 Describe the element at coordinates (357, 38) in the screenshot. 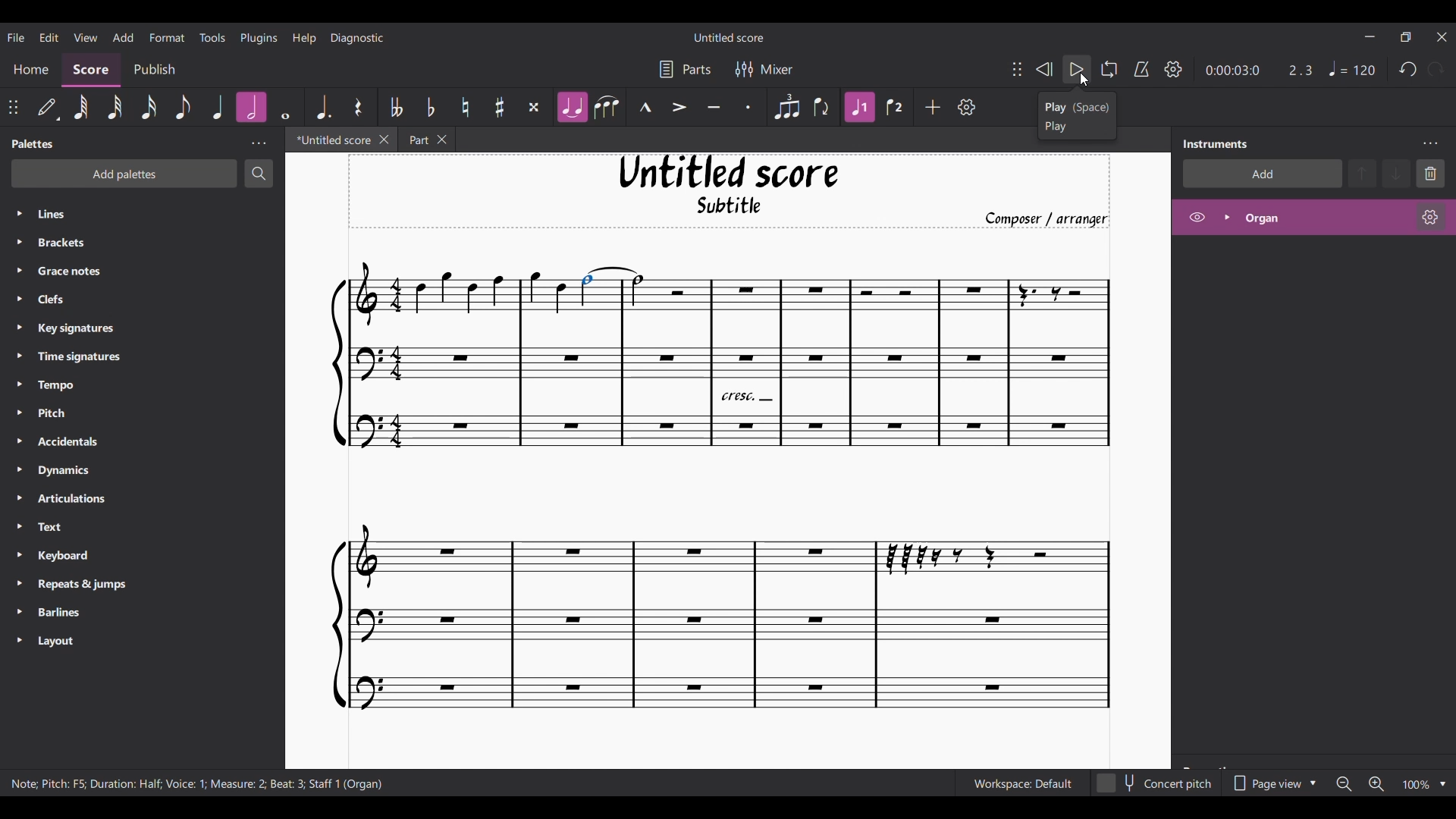

I see `Diagnostic menu` at that location.